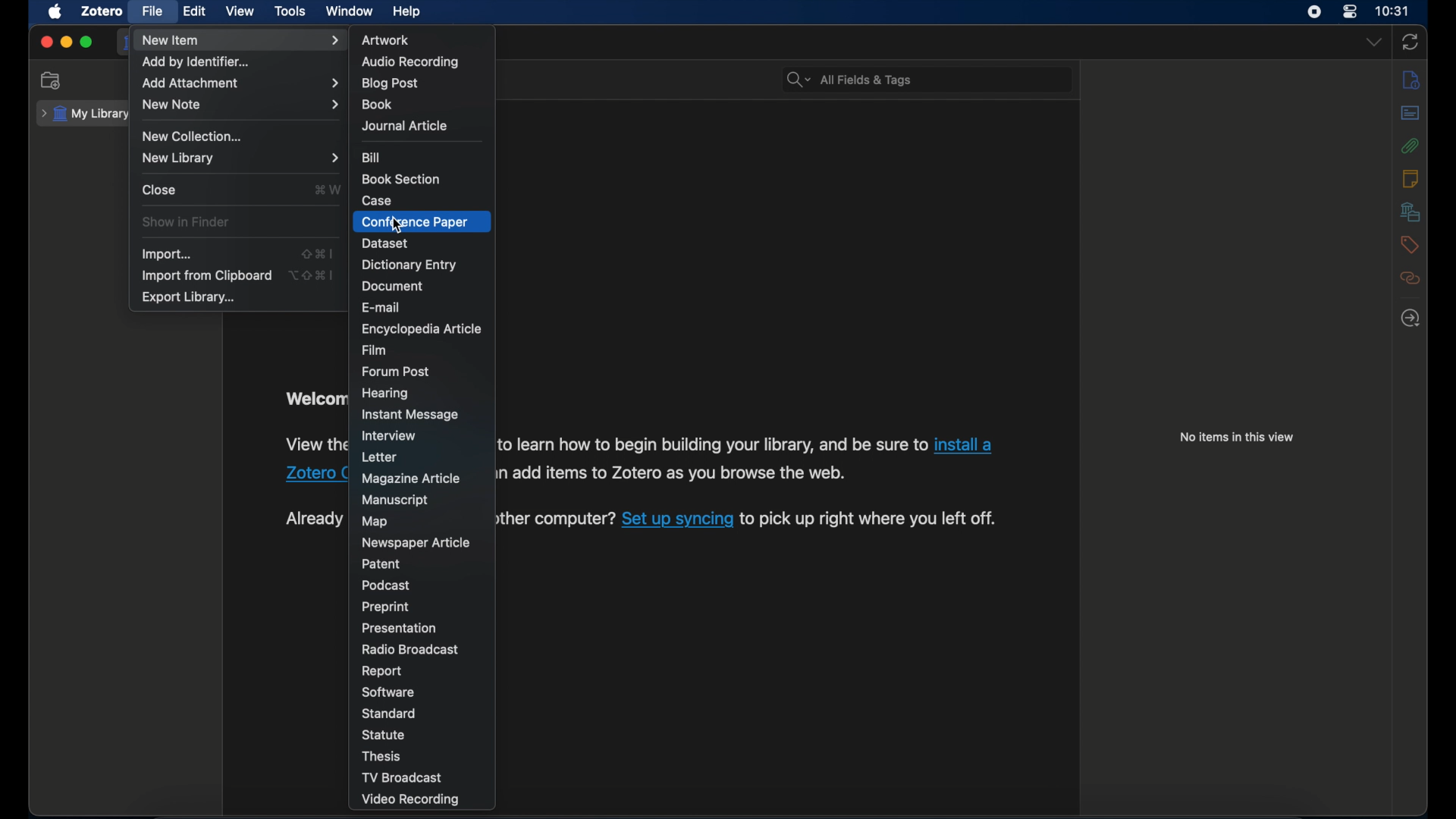 The height and width of the screenshot is (819, 1456). What do you see at coordinates (167, 254) in the screenshot?
I see `import` at bounding box center [167, 254].